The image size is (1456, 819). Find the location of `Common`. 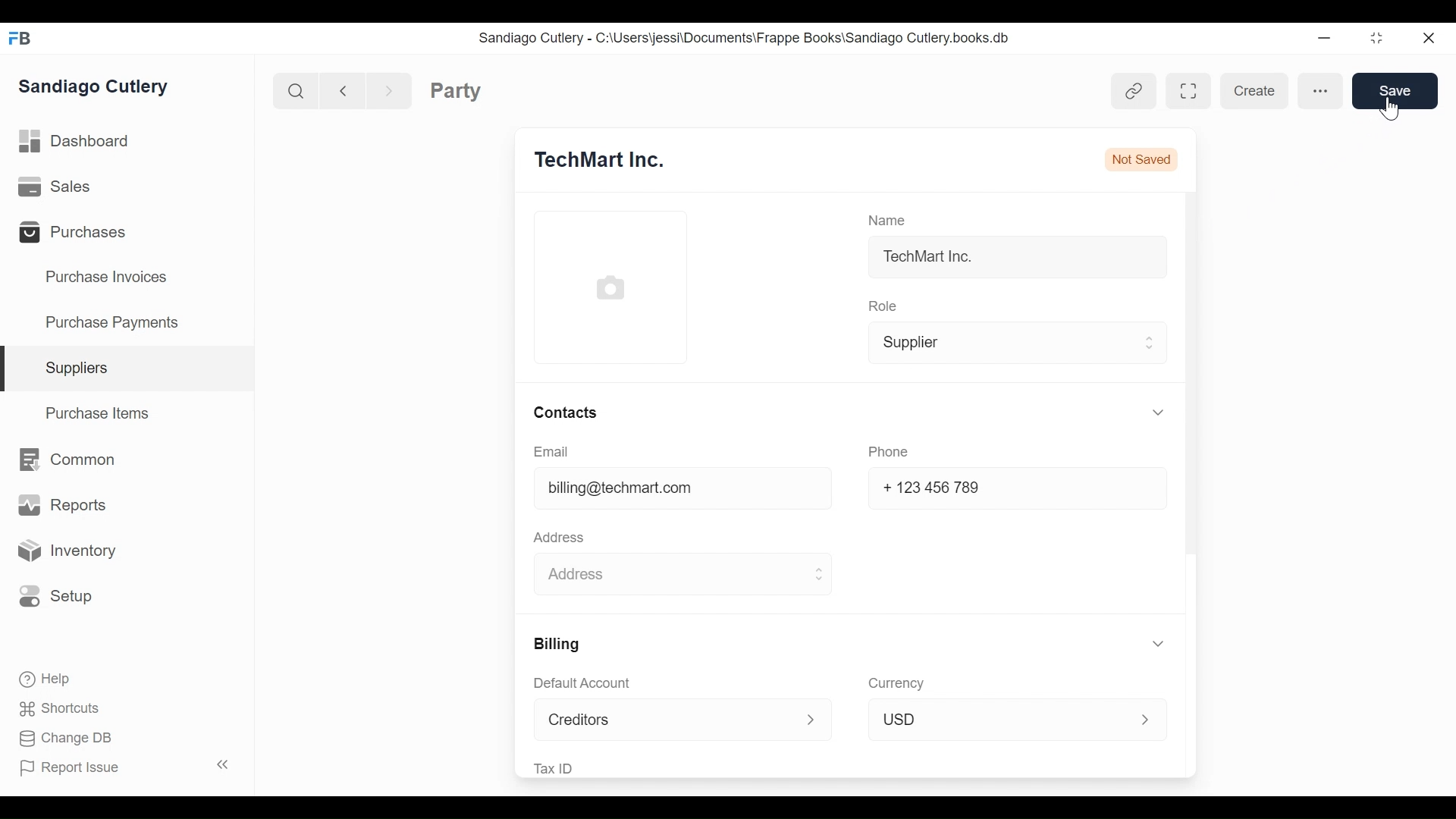

Common is located at coordinates (77, 462).